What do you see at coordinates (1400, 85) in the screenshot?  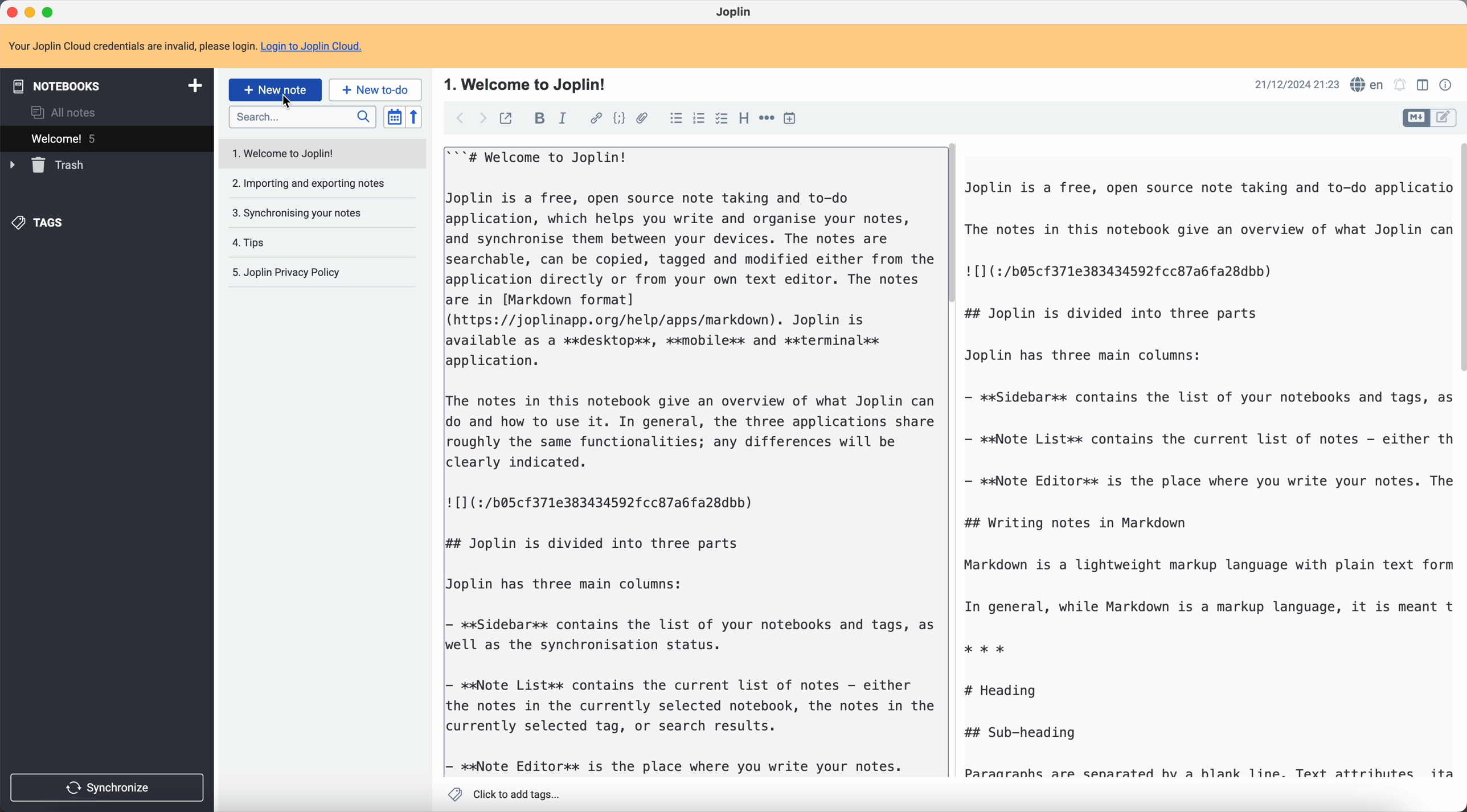 I see `set notifications` at bounding box center [1400, 85].